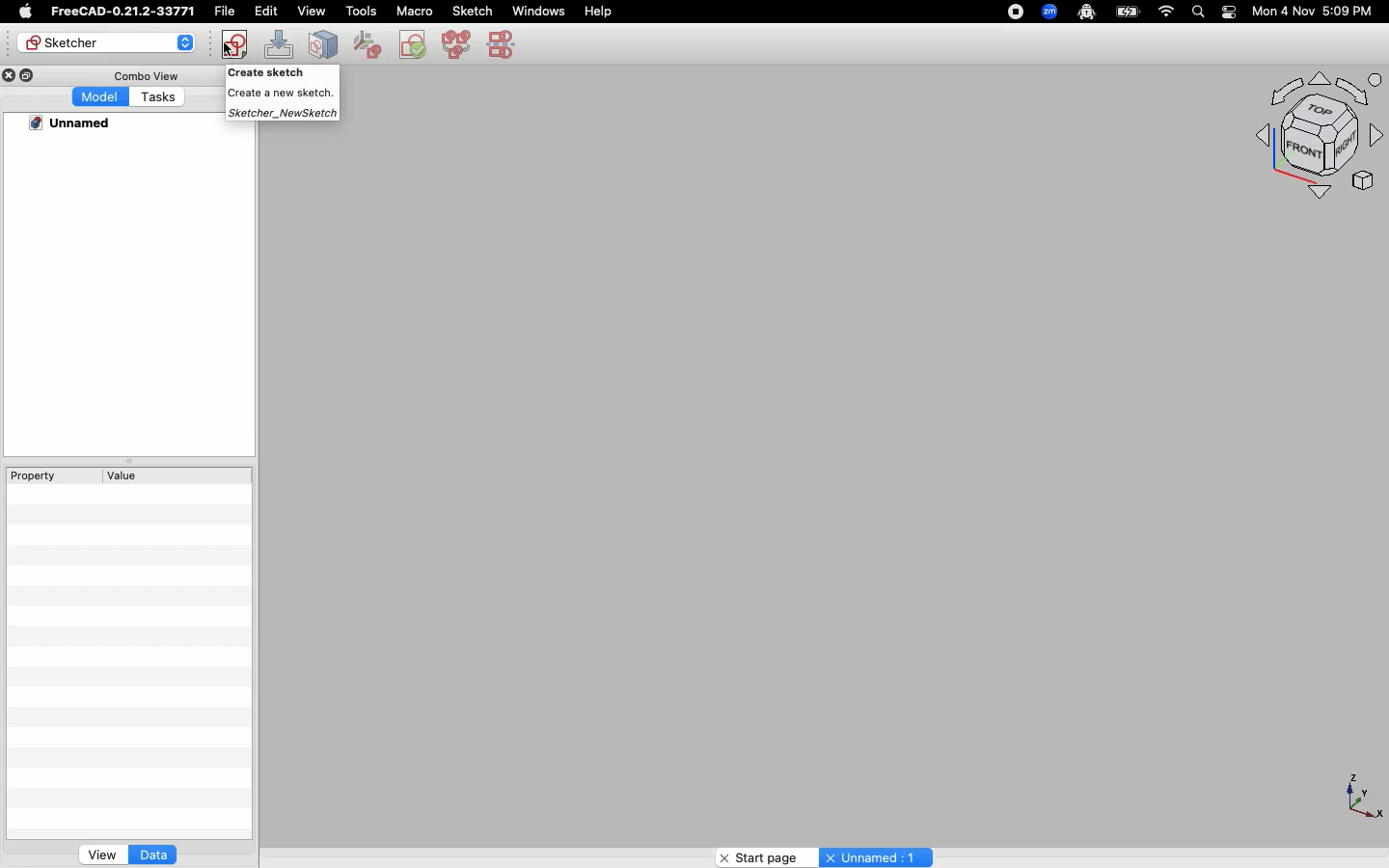 The height and width of the screenshot is (868, 1389). I want to click on Apple Logo, so click(29, 11).